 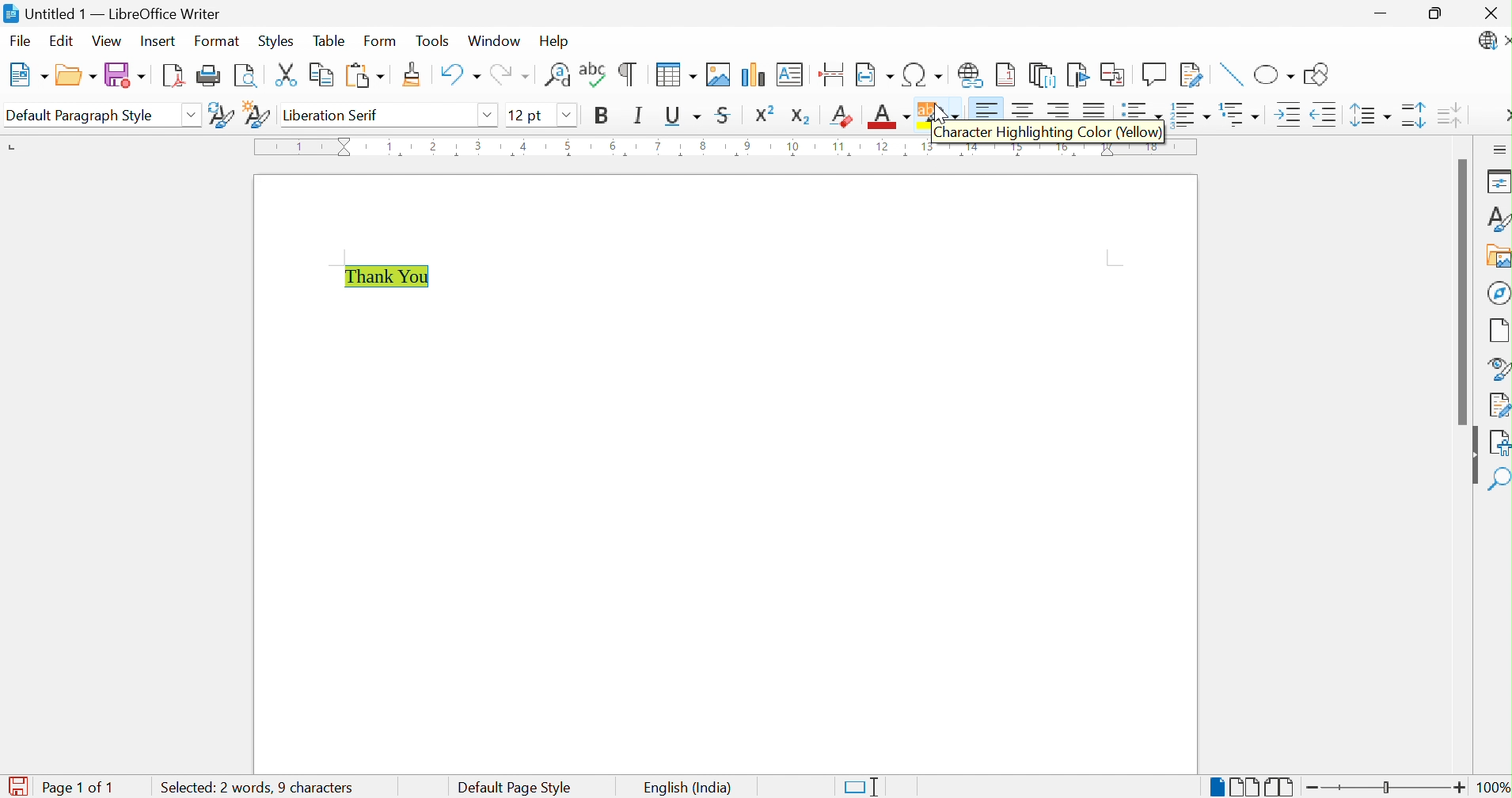 What do you see at coordinates (629, 74) in the screenshot?
I see `Toggle Formatting Marks` at bounding box center [629, 74].